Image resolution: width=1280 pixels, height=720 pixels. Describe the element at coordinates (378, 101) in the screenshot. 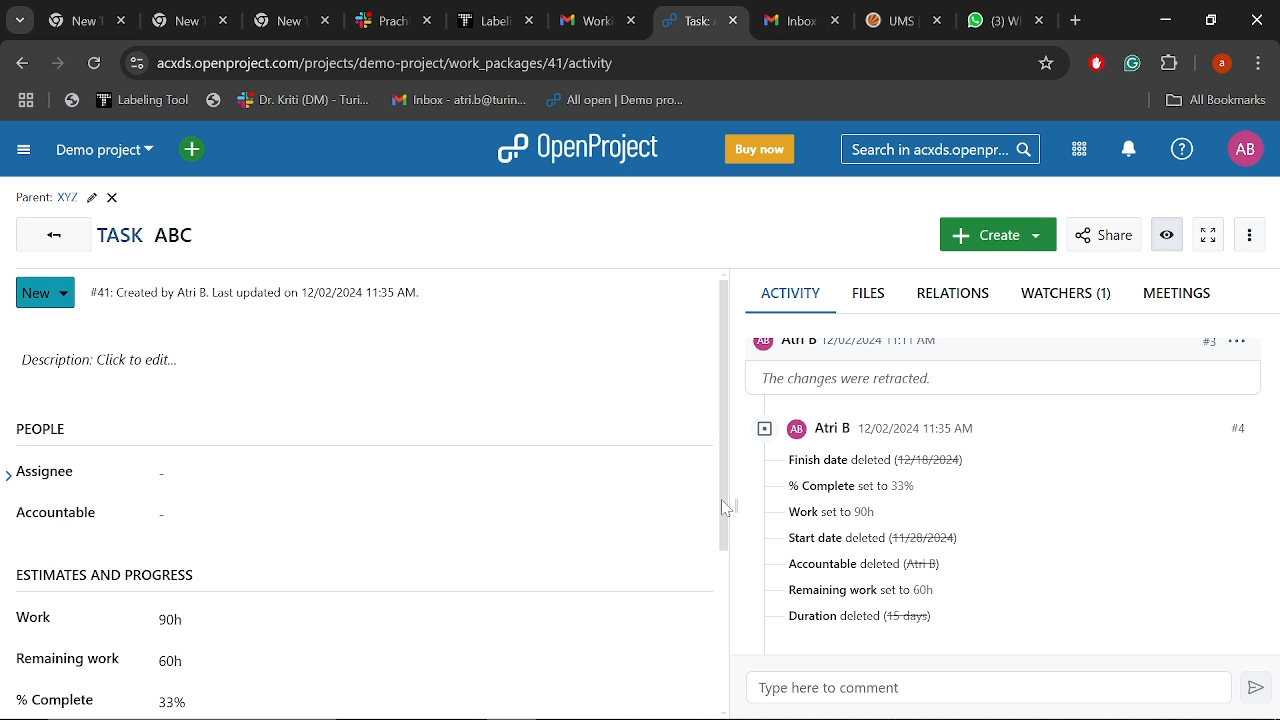

I see `Bookmarked tabs` at that location.